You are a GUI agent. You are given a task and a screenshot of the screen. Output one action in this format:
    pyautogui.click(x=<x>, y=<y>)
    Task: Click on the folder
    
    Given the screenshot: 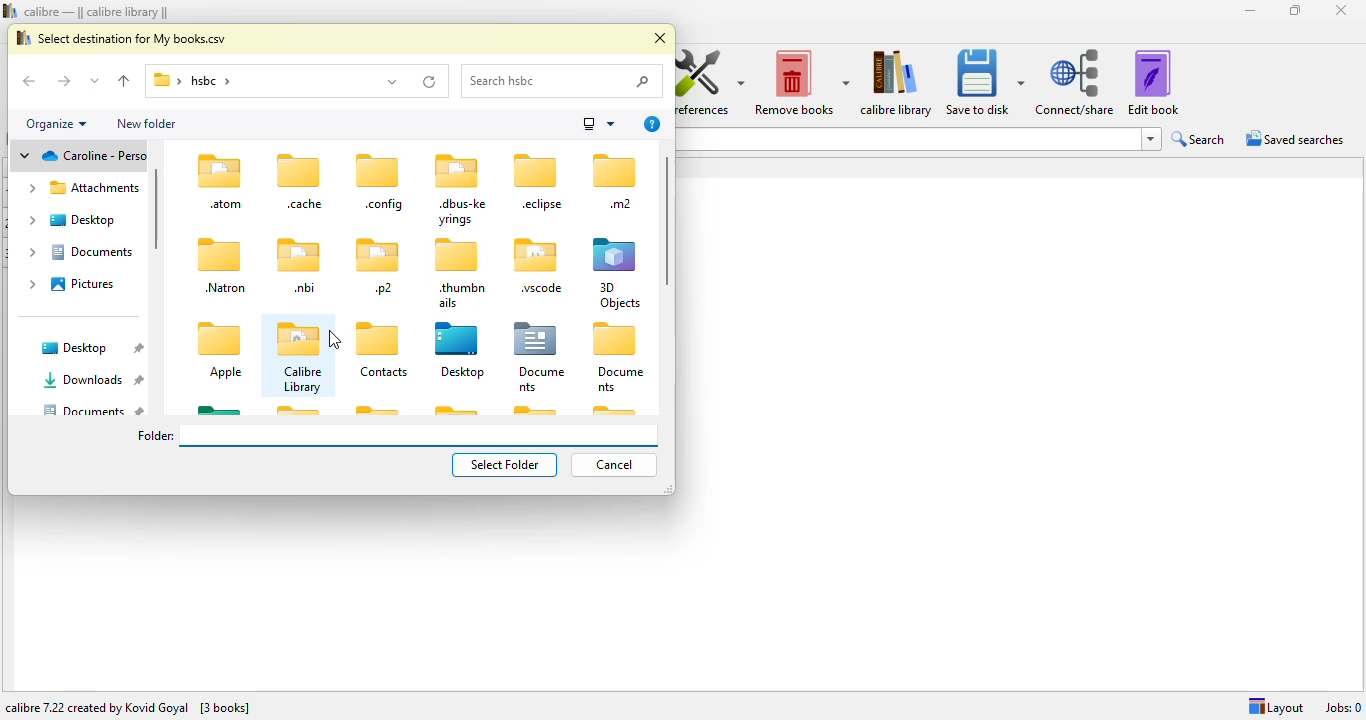 What is the action you would take?
    pyautogui.click(x=247, y=82)
    